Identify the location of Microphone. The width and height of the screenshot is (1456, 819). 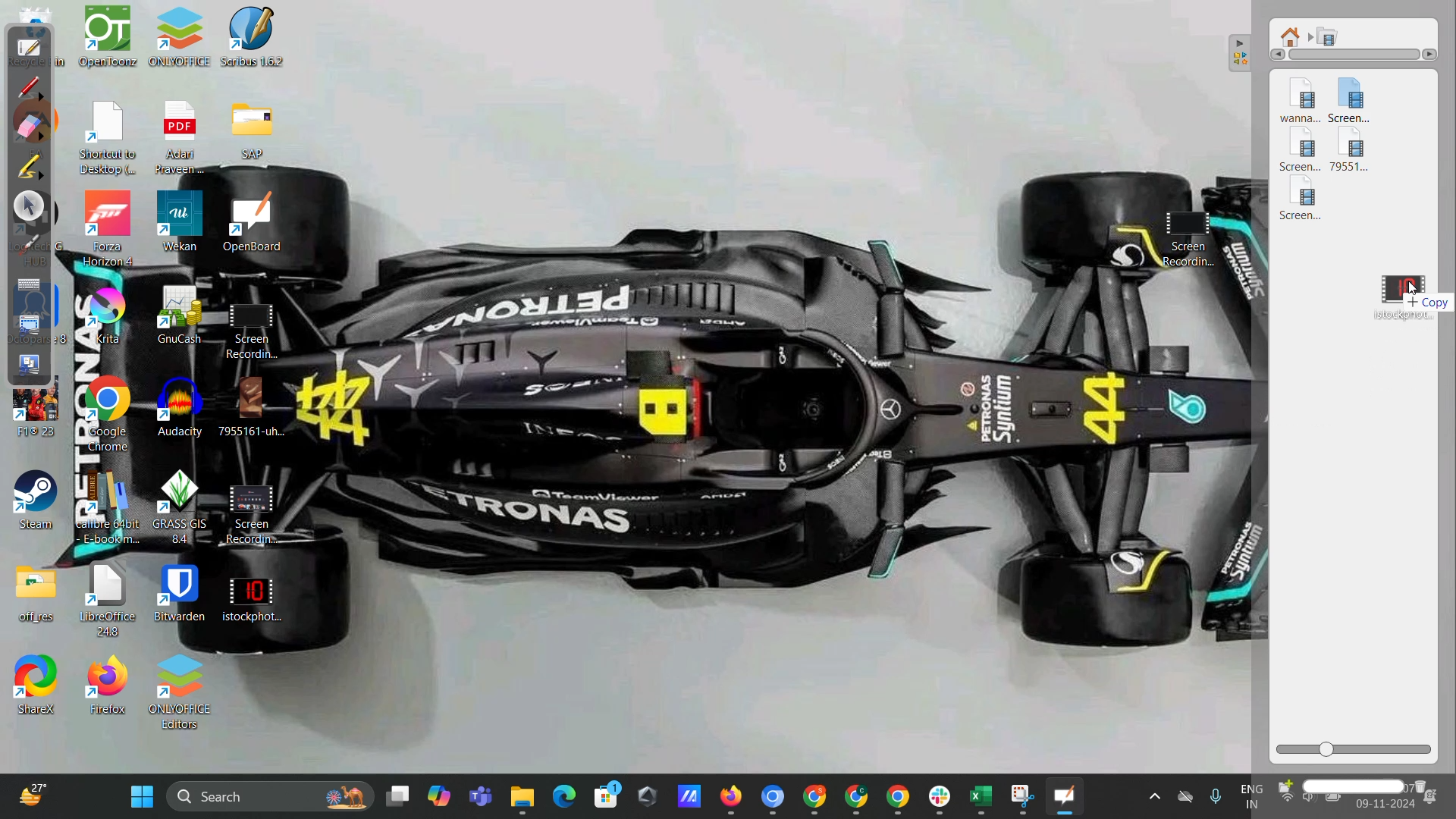
(1215, 793).